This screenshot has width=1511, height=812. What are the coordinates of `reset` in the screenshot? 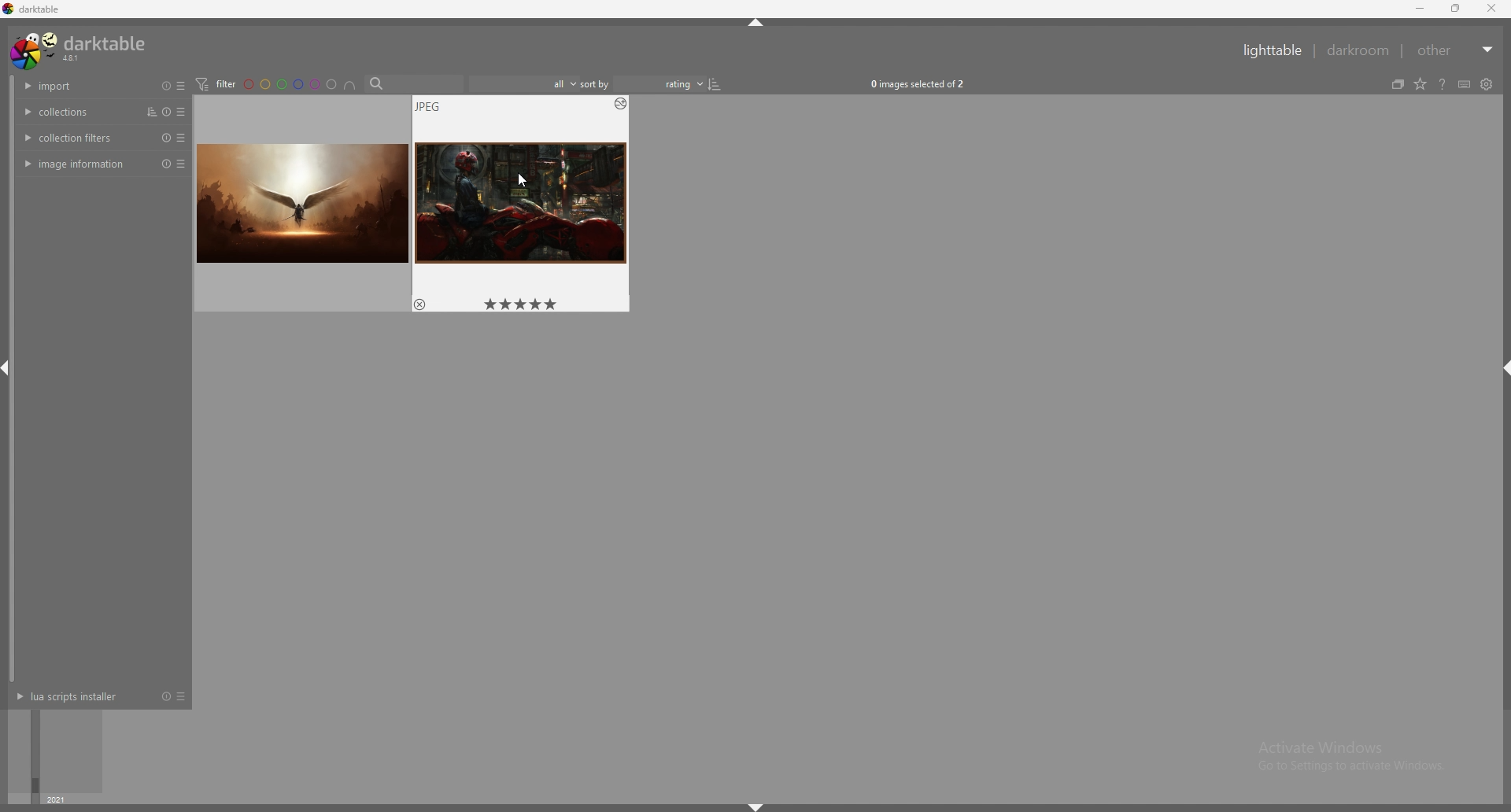 It's located at (166, 86).